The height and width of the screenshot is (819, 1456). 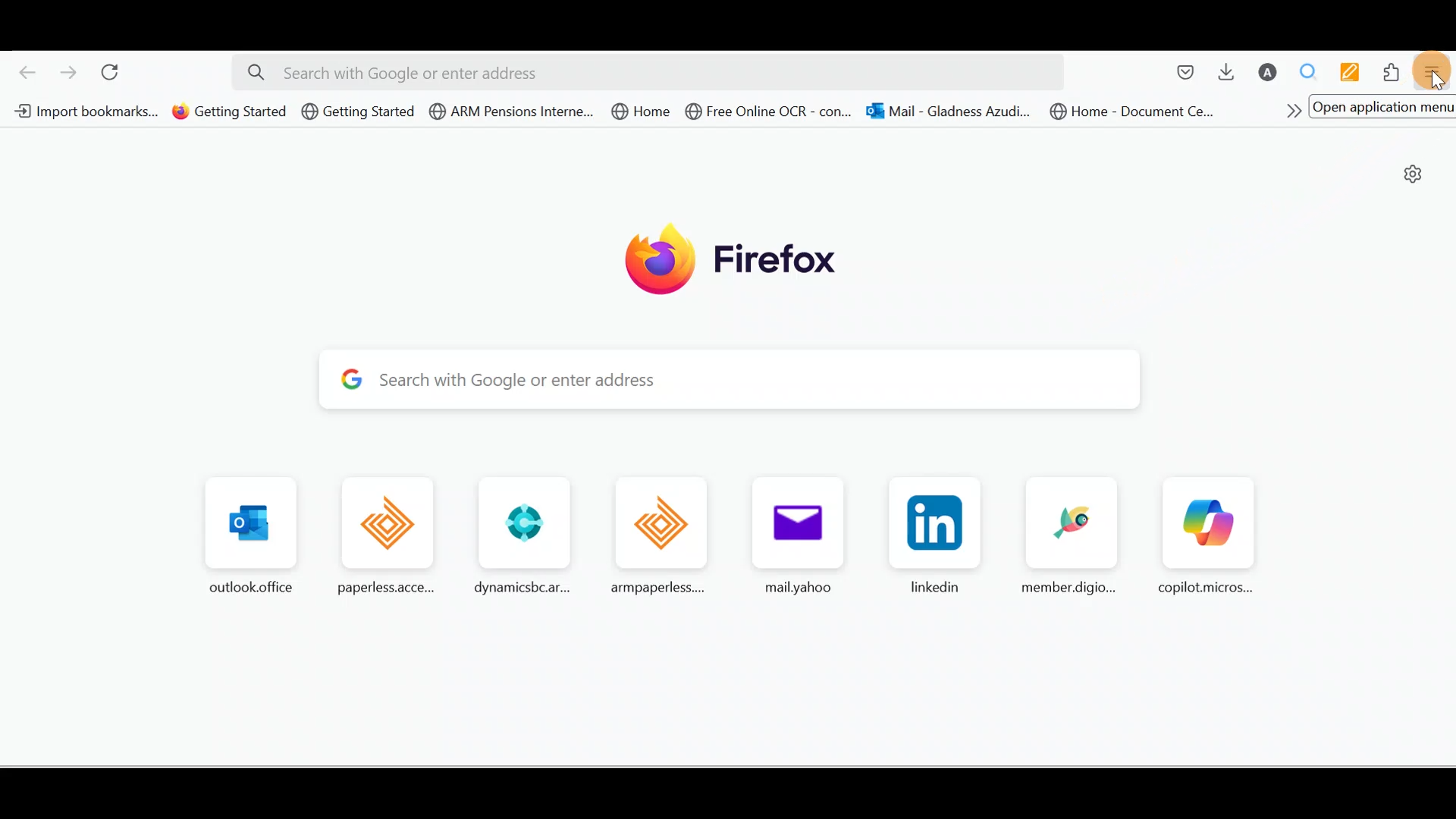 I want to click on Bookmark 6, so click(x=770, y=113).